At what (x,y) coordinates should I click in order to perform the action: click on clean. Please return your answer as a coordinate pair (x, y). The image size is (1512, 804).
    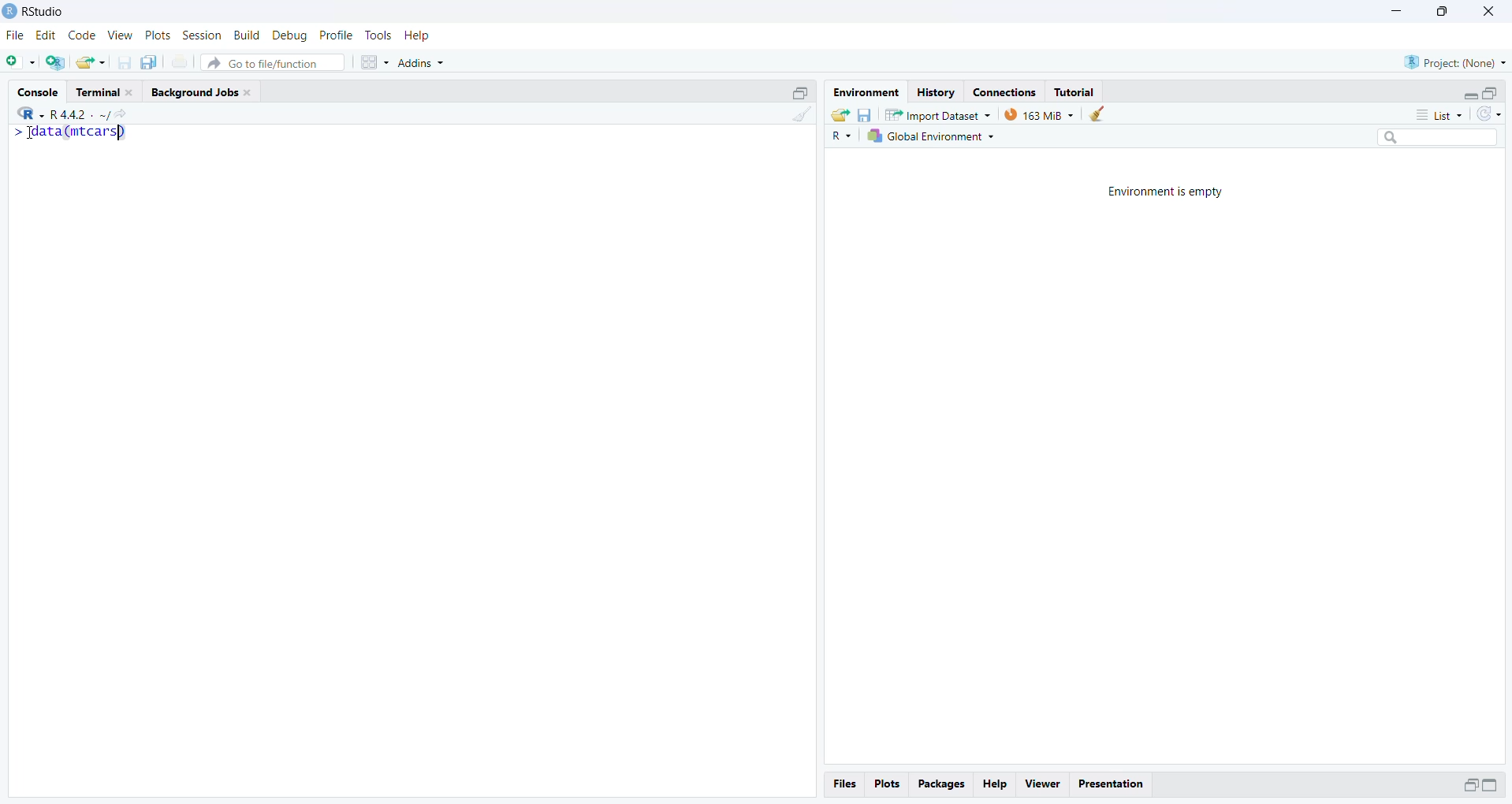
    Looking at the image, I should click on (1097, 114).